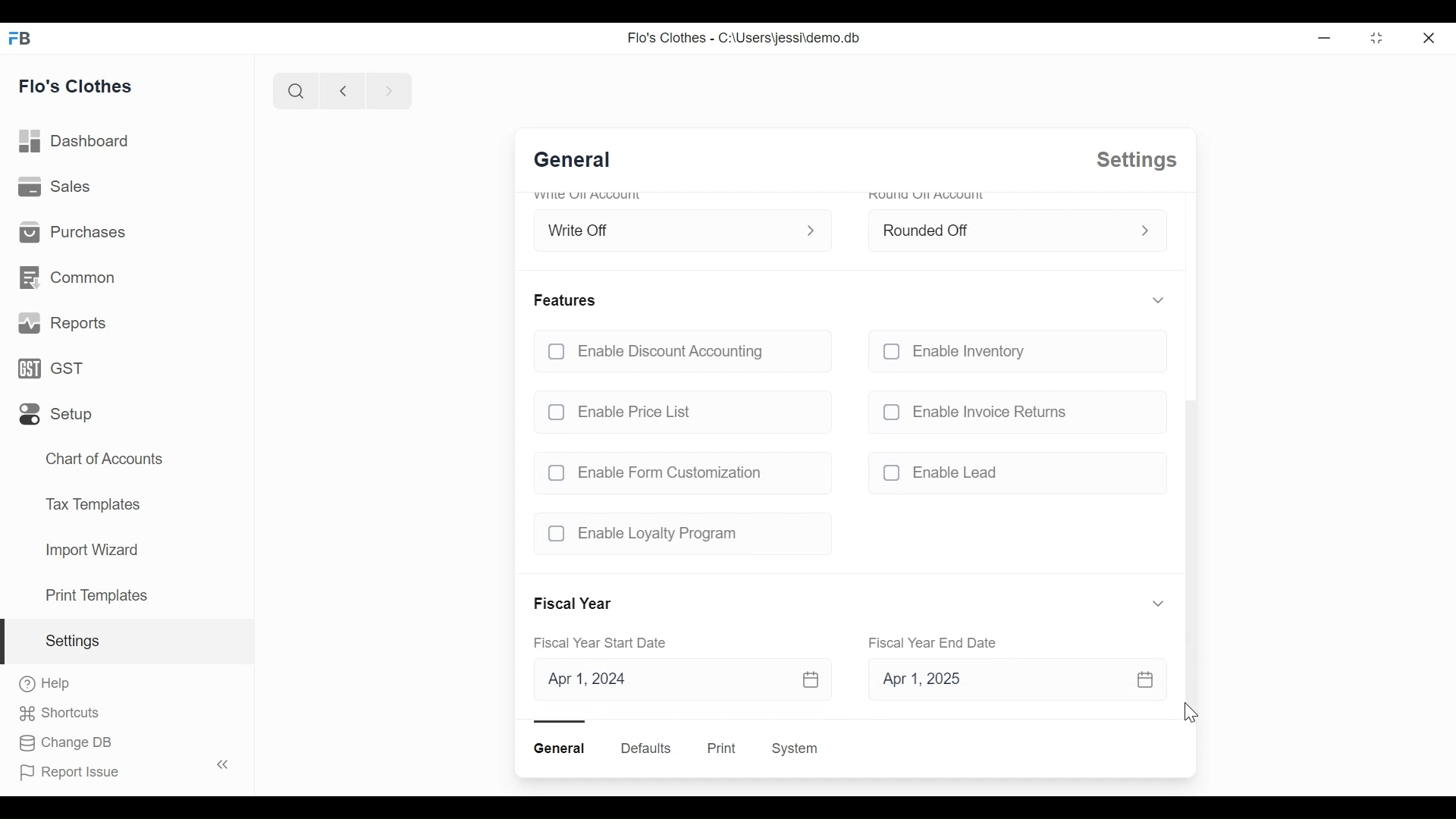 This screenshot has height=819, width=1456. I want to click on Common, so click(70, 280).